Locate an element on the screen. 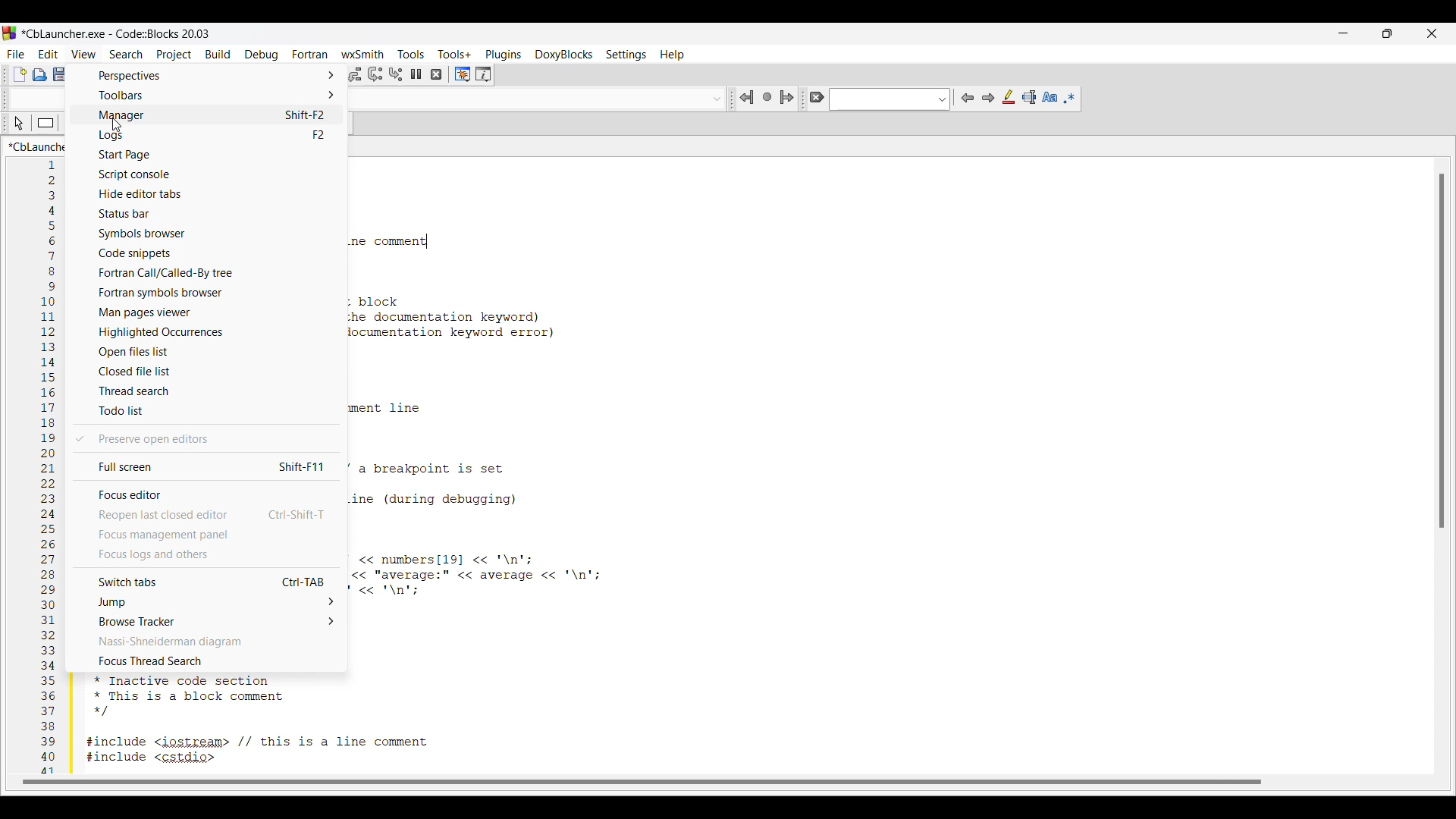 This screenshot has height=819, width=1456. Hide editor tabs is located at coordinates (209, 193).